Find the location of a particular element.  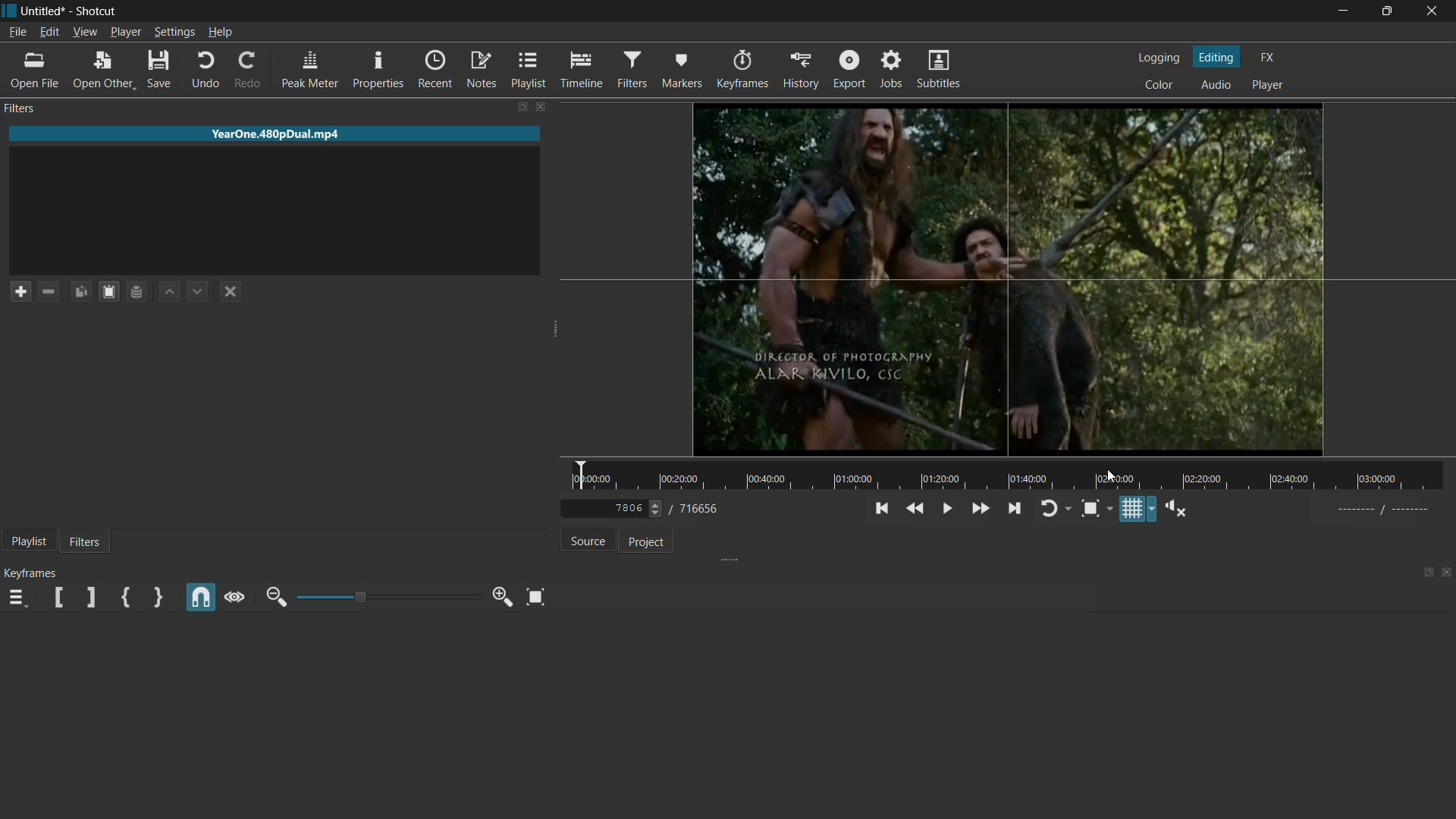

imported file name is located at coordinates (277, 134).